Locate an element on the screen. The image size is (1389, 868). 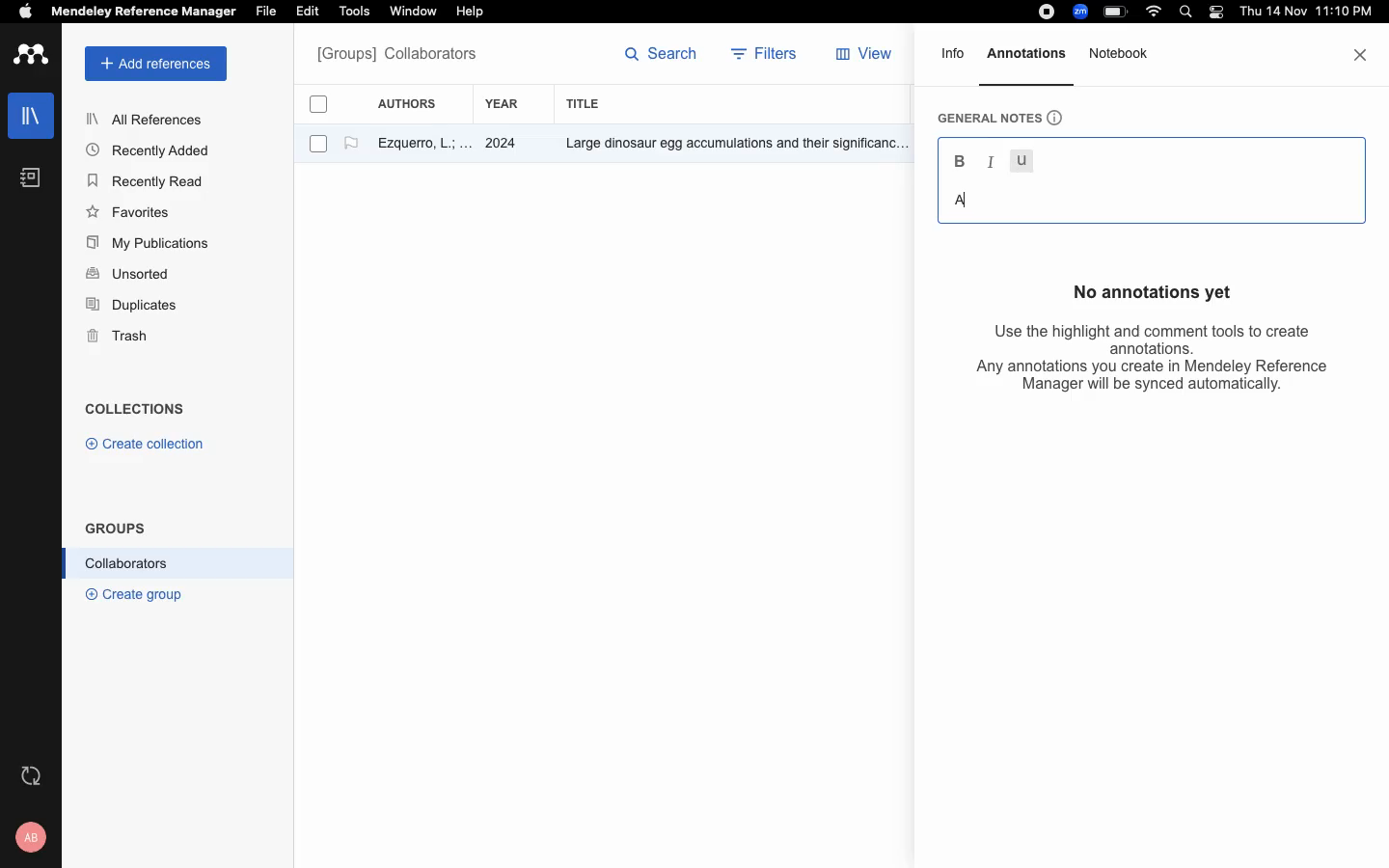
notebook is located at coordinates (1122, 64).